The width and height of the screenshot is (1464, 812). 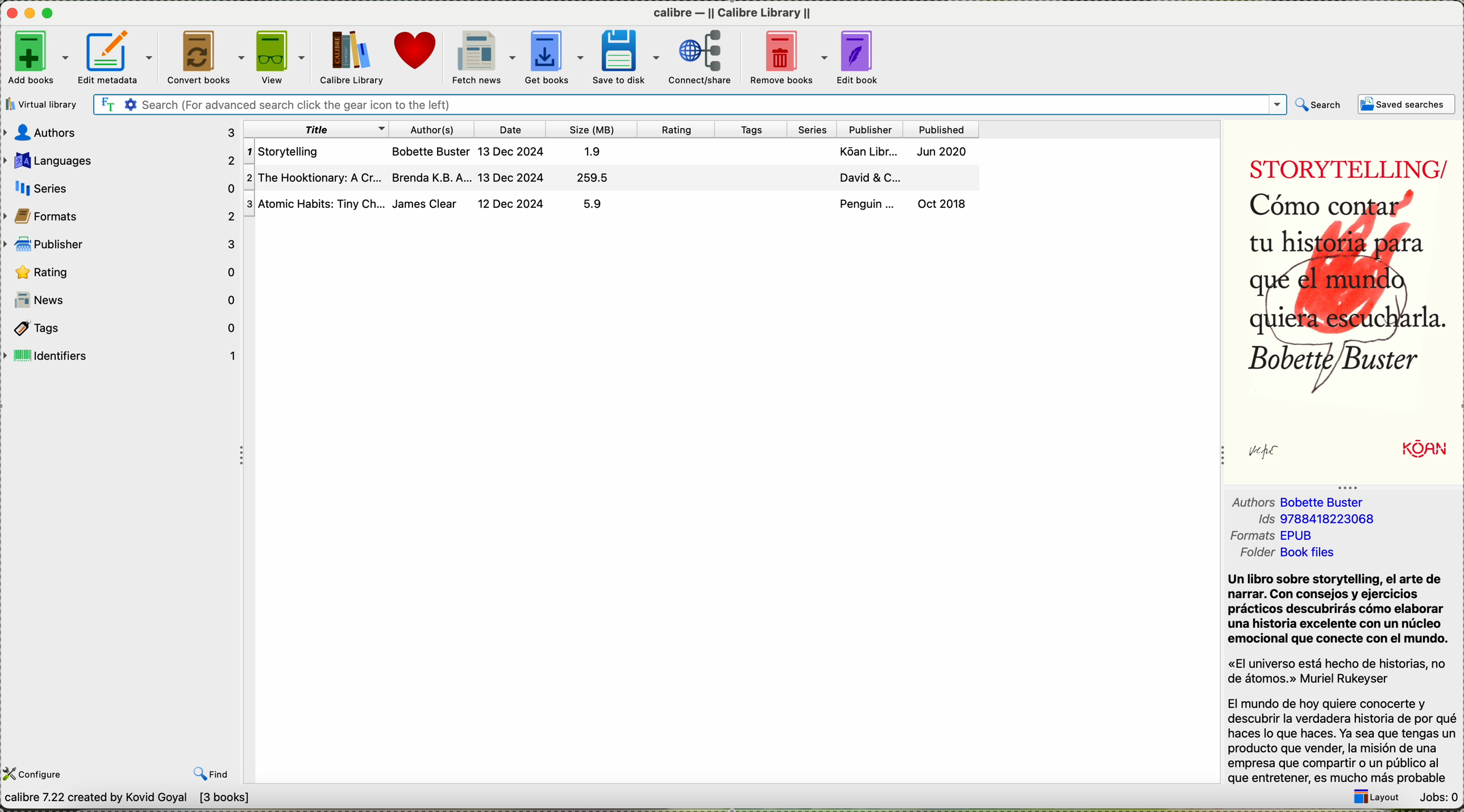 What do you see at coordinates (1275, 452) in the screenshot?
I see `sign` at bounding box center [1275, 452].